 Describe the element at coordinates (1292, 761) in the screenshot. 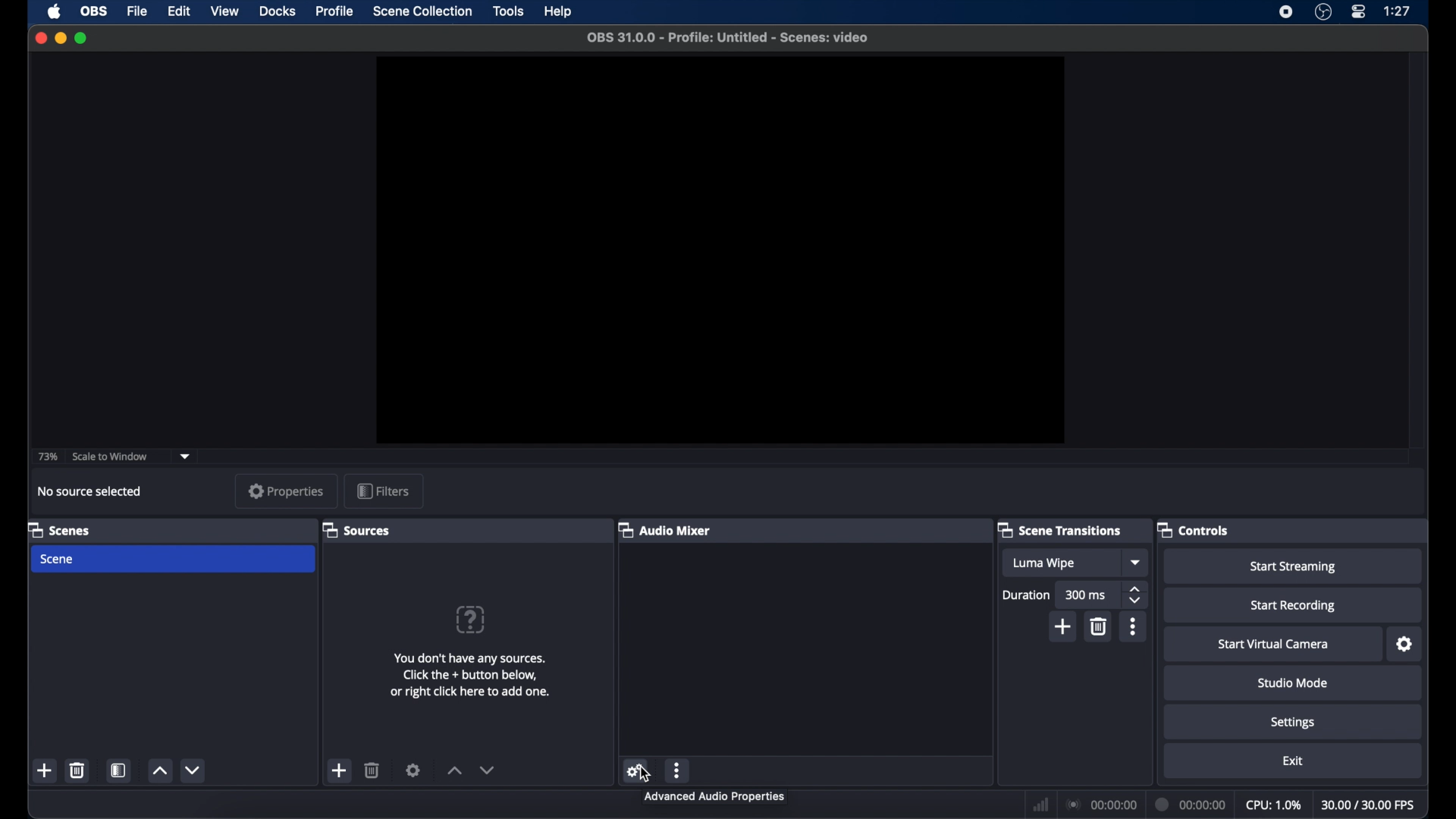

I see `exit` at that location.